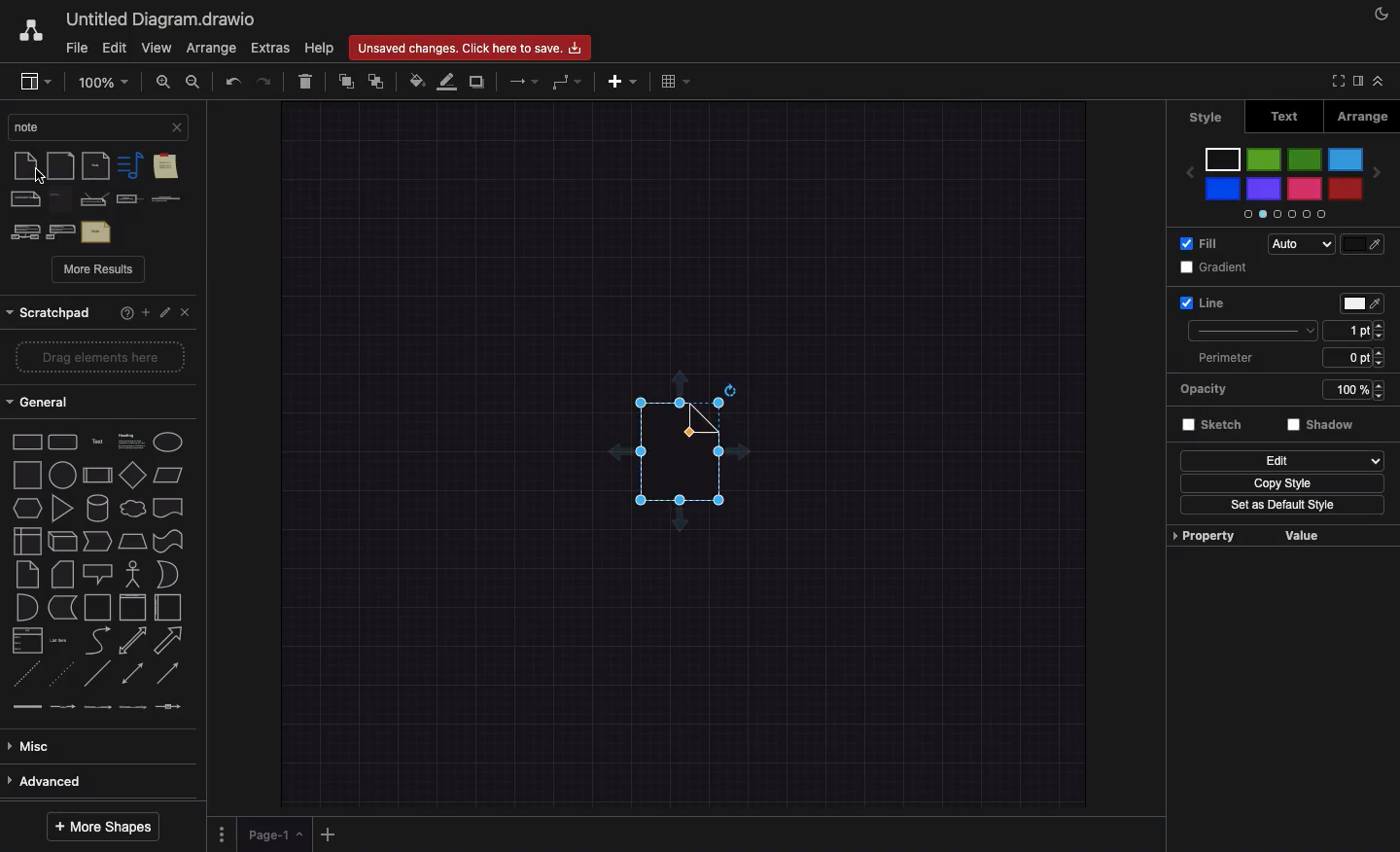 This screenshot has height=852, width=1400. I want to click on decrease opacity, so click(1379, 398).